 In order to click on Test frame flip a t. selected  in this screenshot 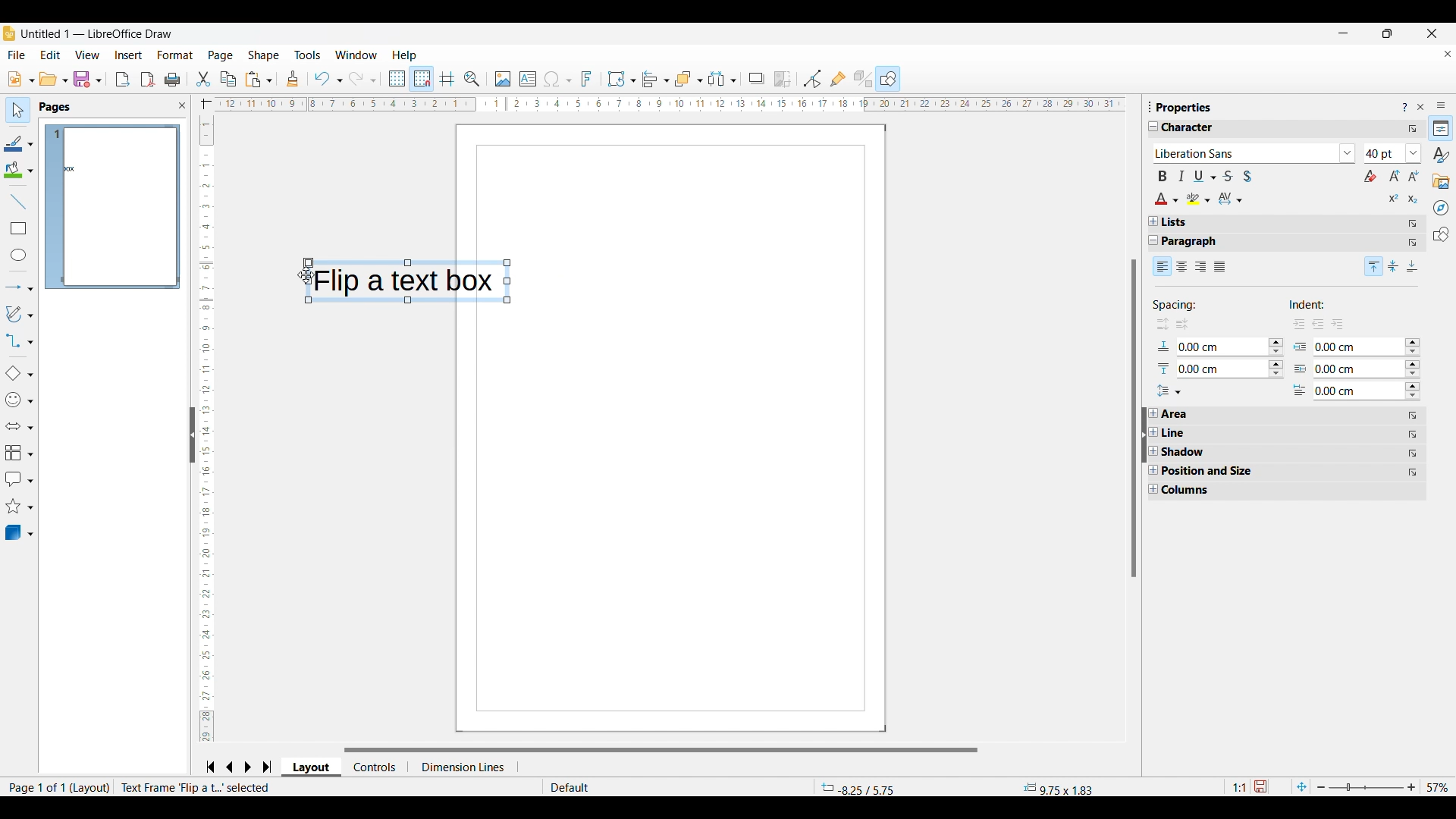, I will do `click(196, 787)`.